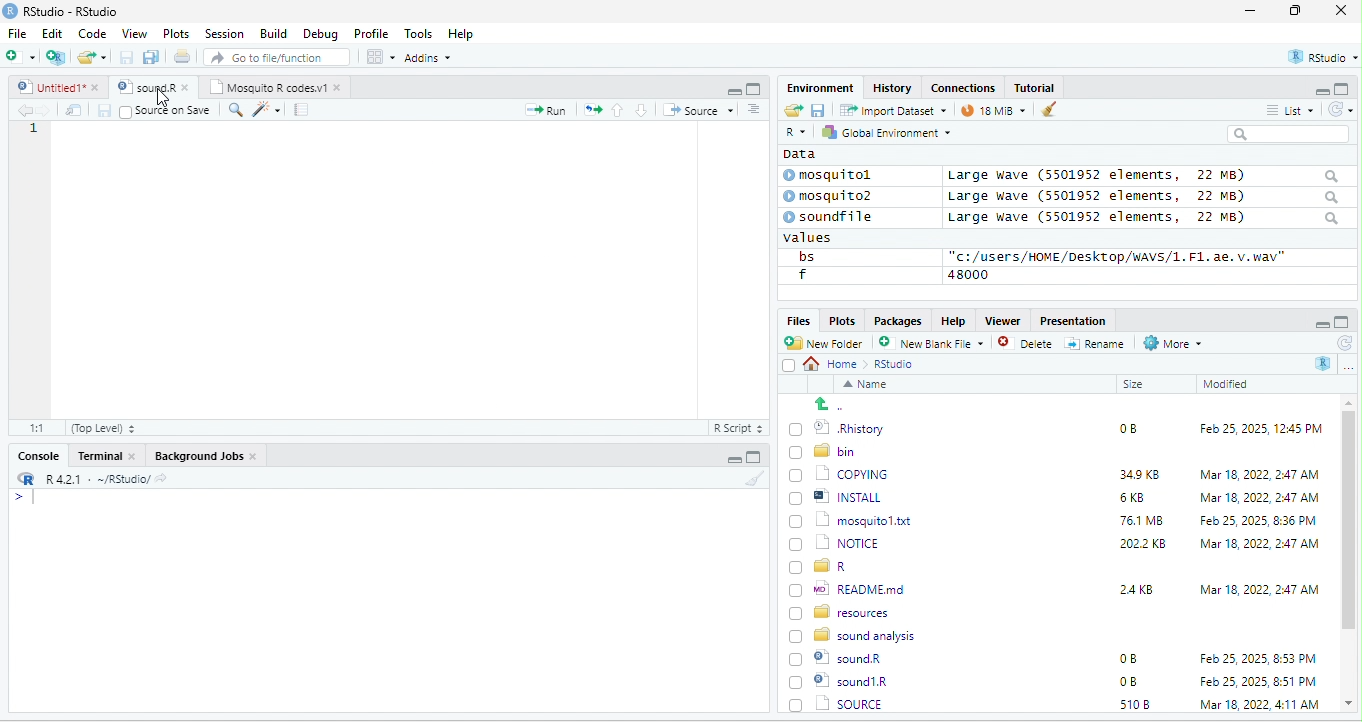  Describe the element at coordinates (842, 320) in the screenshot. I see `Plots` at that location.